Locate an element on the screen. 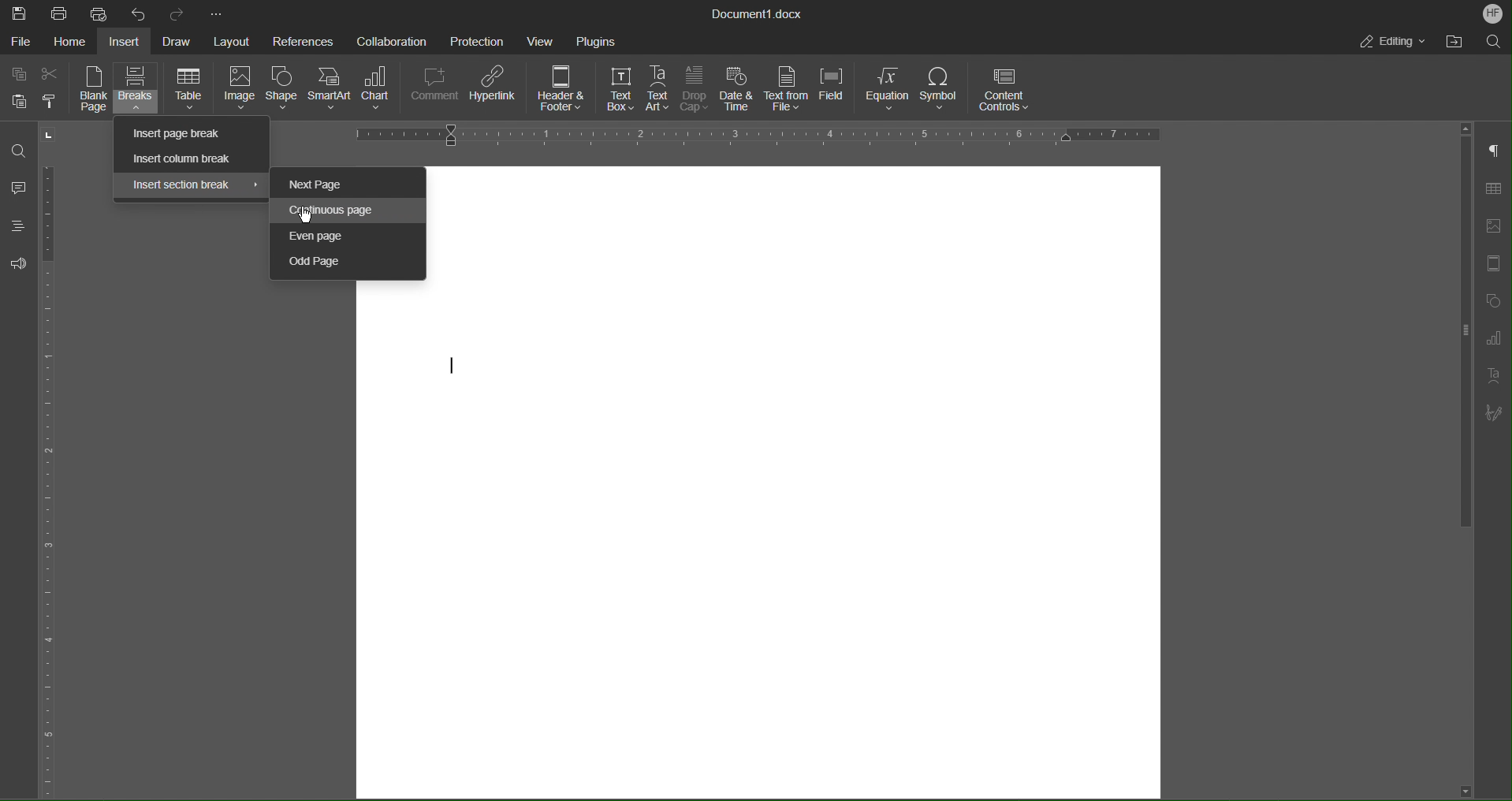 The width and height of the screenshot is (1512, 801). Insert is located at coordinates (125, 39).